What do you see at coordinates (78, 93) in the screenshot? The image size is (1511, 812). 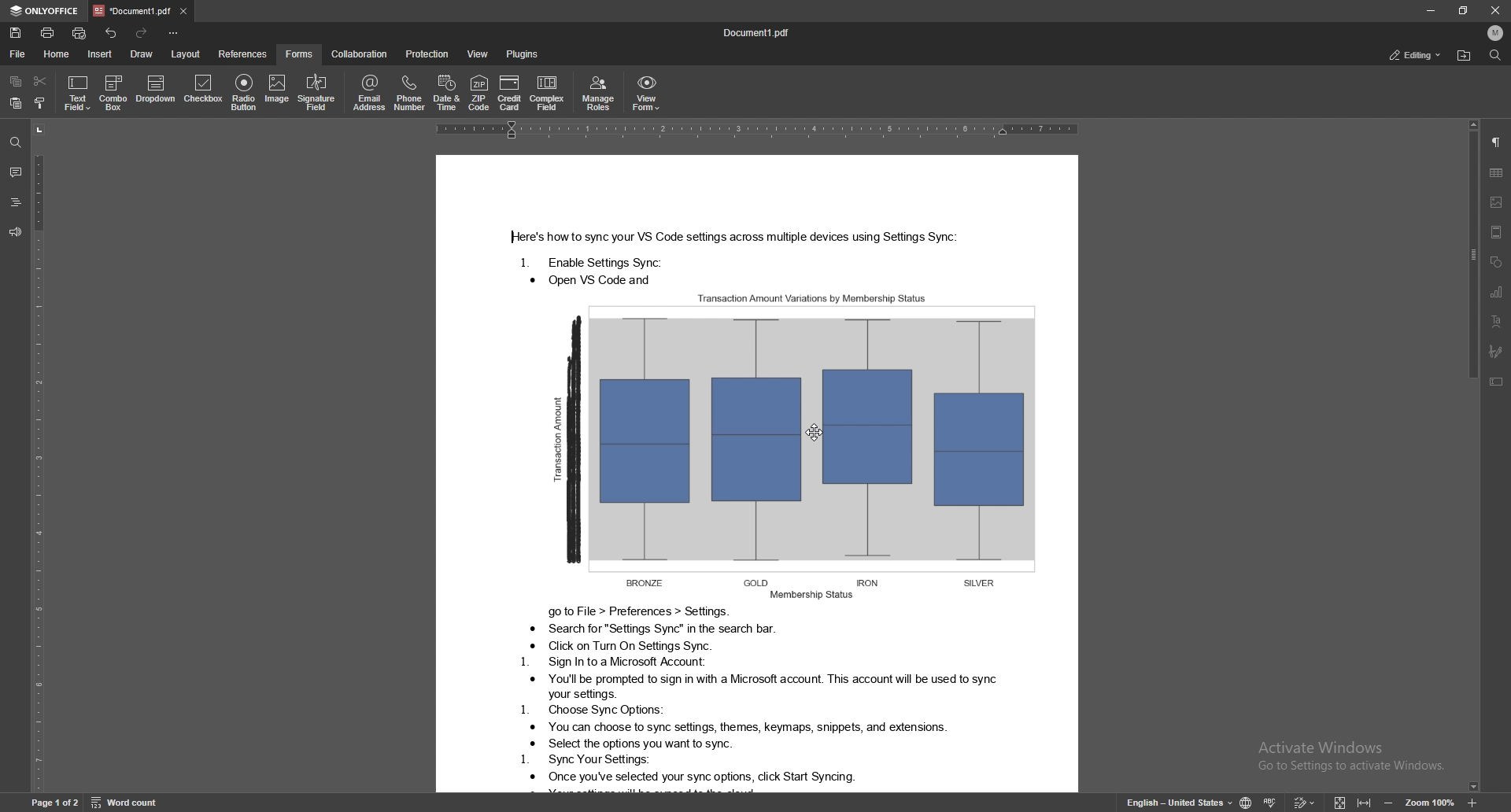 I see `text field` at bounding box center [78, 93].